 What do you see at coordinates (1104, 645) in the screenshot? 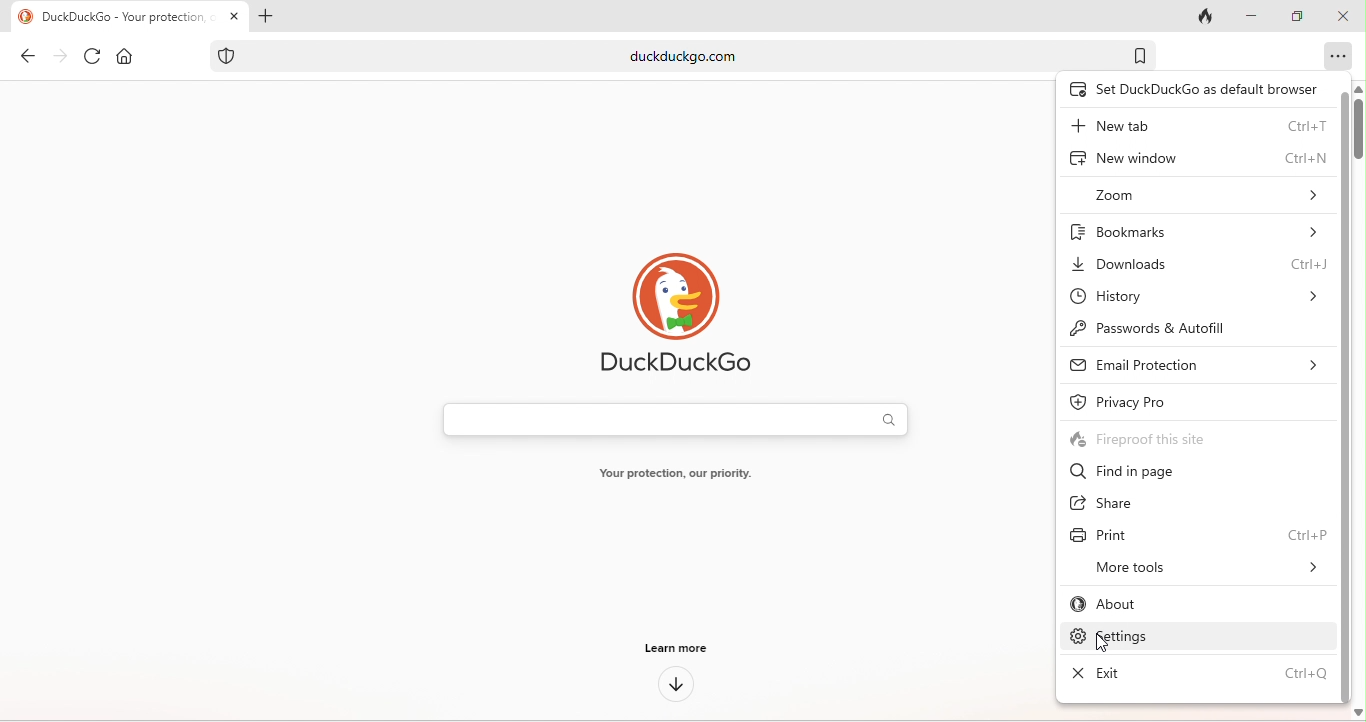
I see `cursor movement` at bounding box center [1104, 645].